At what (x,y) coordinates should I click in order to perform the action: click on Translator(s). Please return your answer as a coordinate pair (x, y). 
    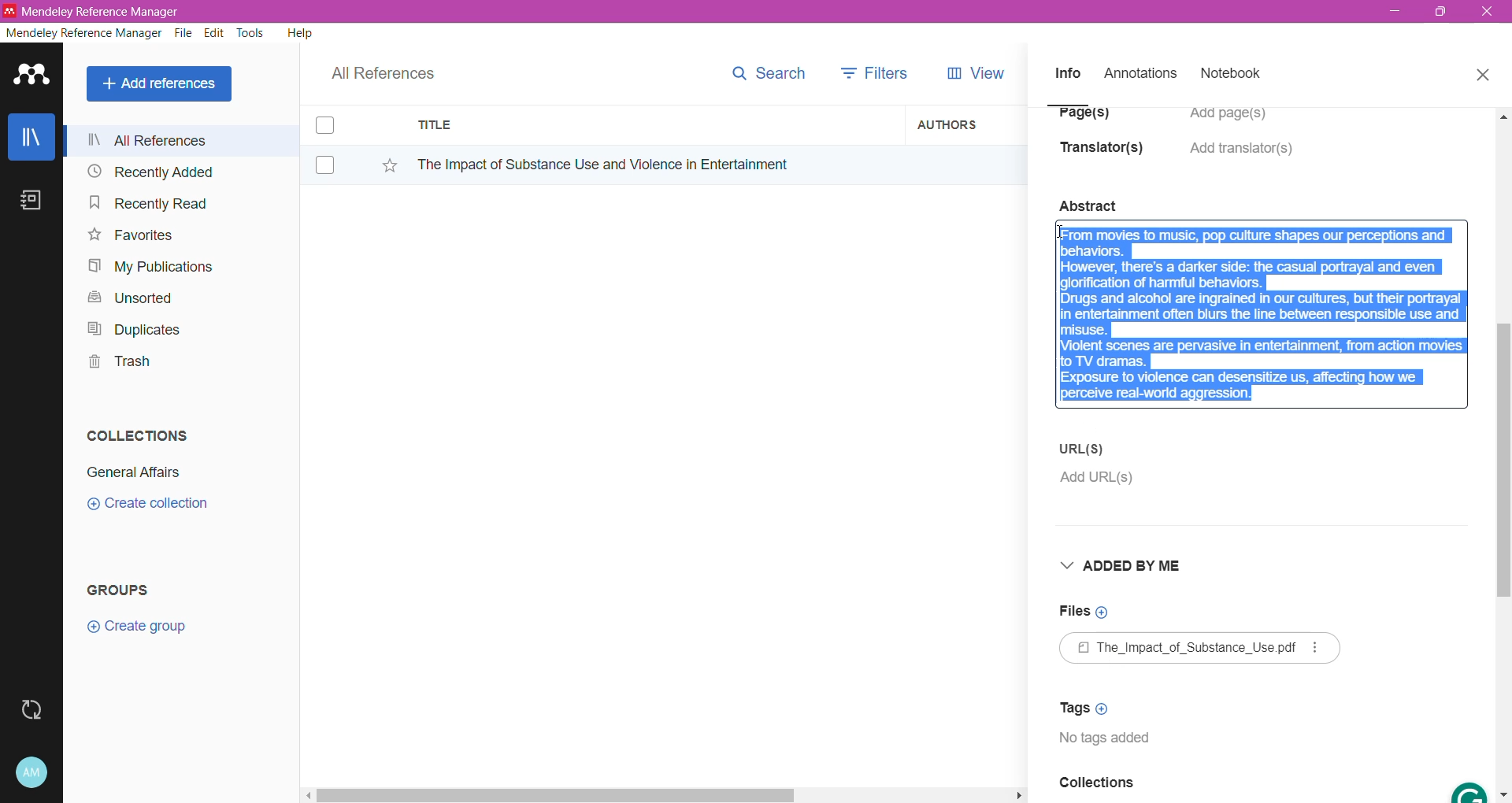
    Looking at the image, I should click on (1106, 155).